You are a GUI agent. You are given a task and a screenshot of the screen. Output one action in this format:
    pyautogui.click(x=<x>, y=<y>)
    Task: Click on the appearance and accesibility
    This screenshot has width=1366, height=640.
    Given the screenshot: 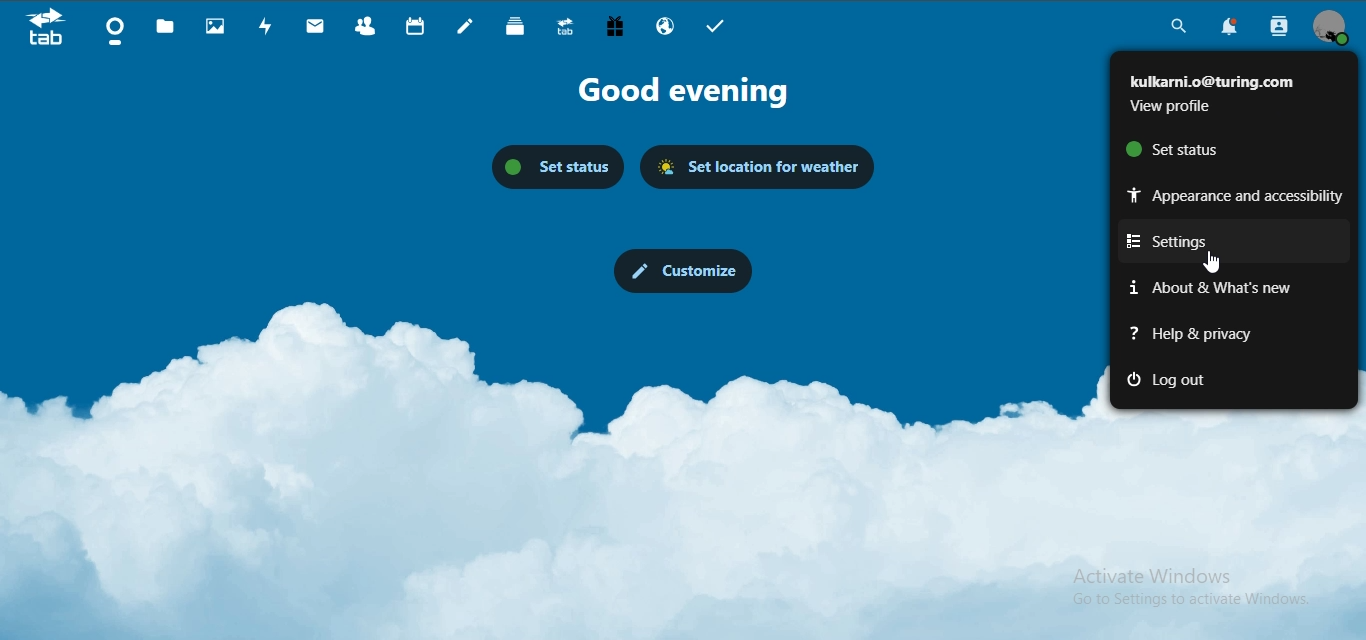 What is the action you would take?
    pyautogui.click(x=1231, y=195)
    